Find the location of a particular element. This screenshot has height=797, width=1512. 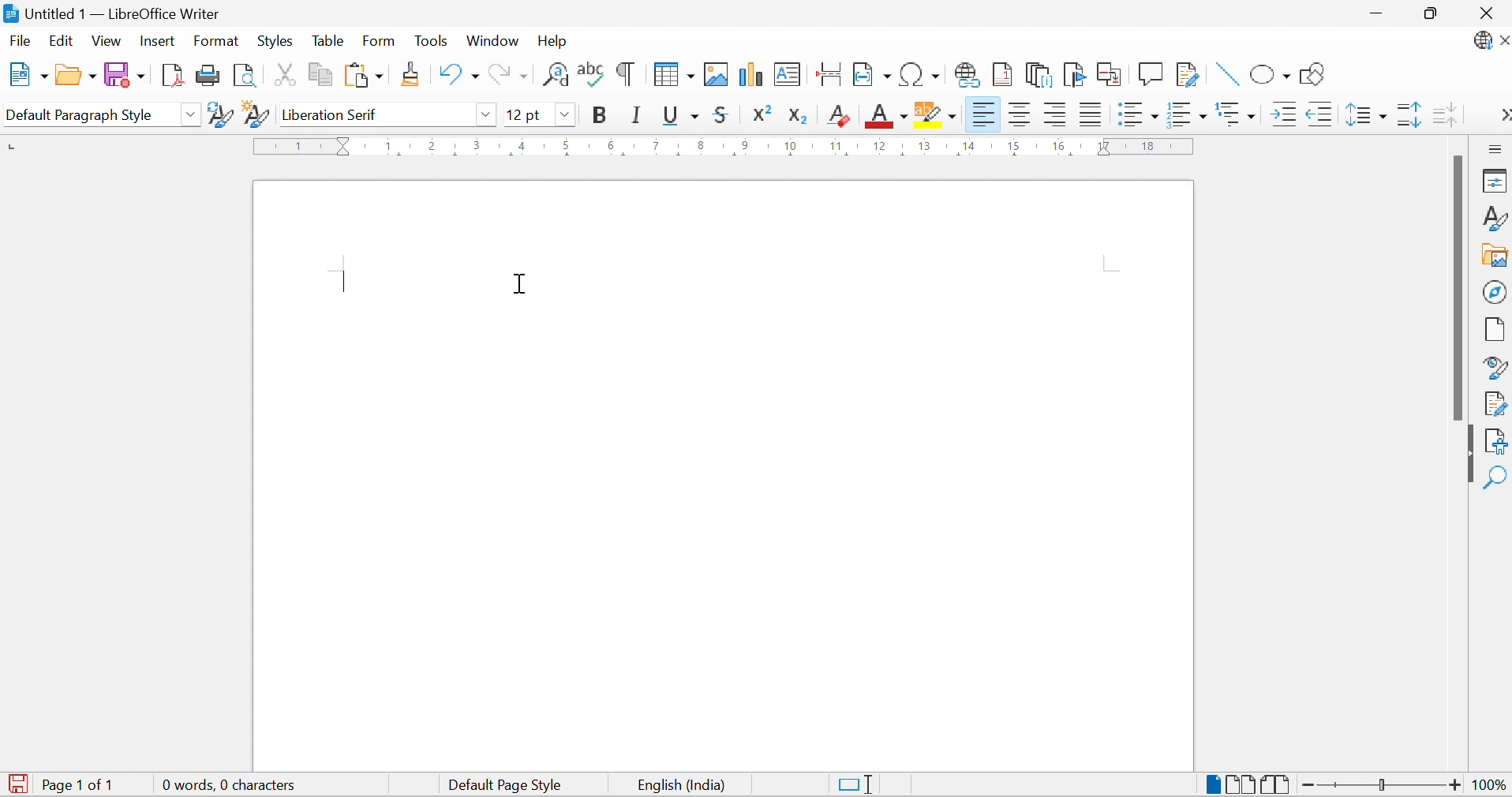

Basic Shapes is located at coordinates (1271, 76).